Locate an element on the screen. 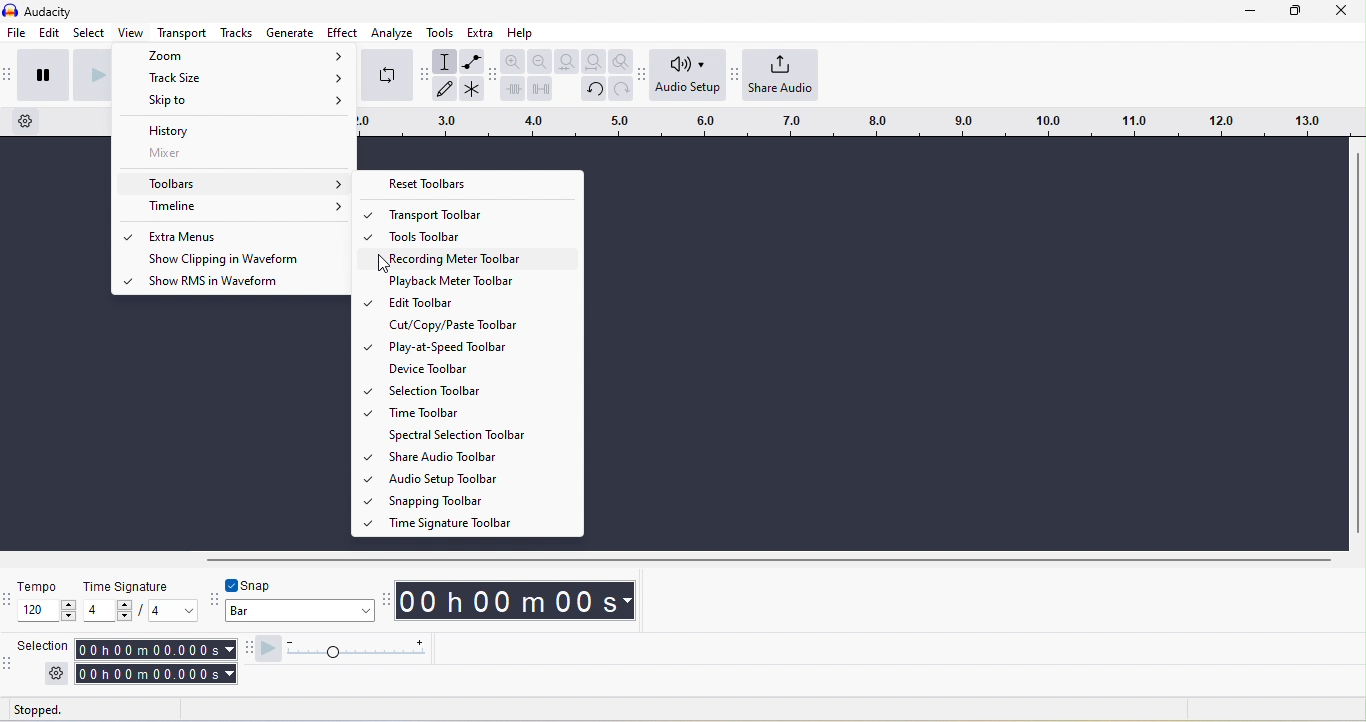 The image size is (1366, 722). multi-tool is located at coordinates (472, 89).